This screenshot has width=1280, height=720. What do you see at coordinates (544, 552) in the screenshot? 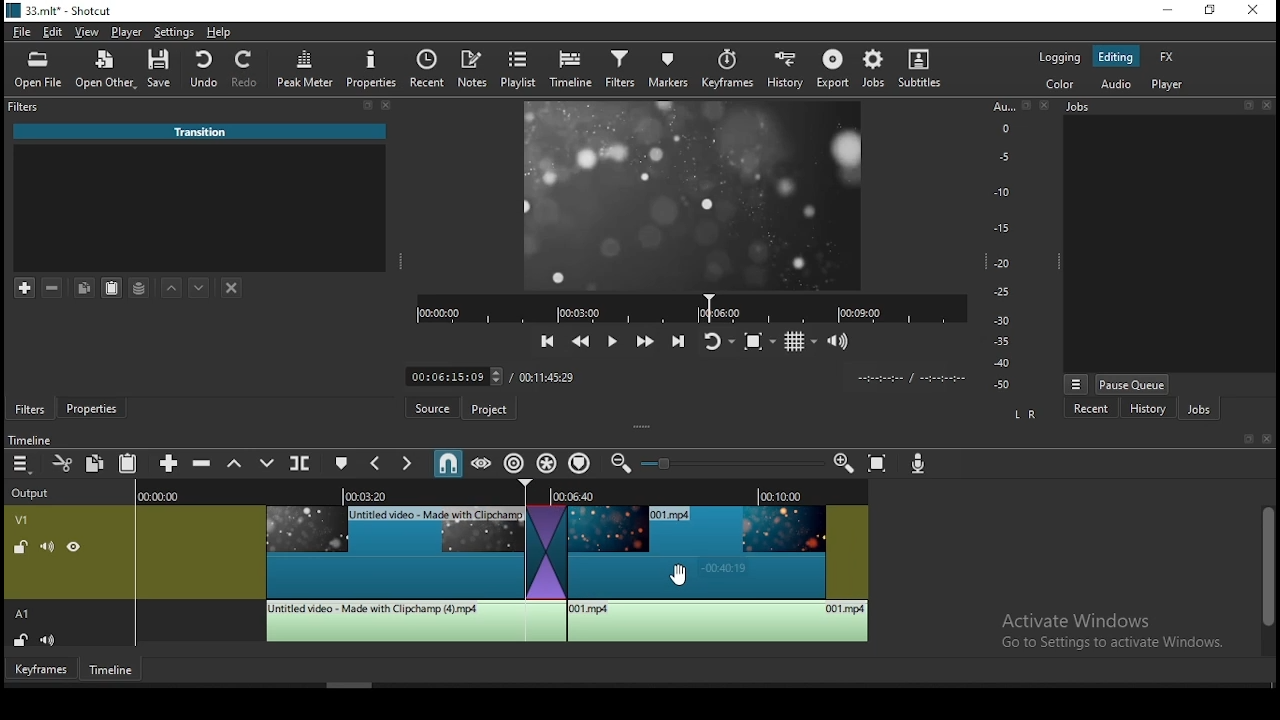
I see `crossfade` at bounding box center [544, 552].